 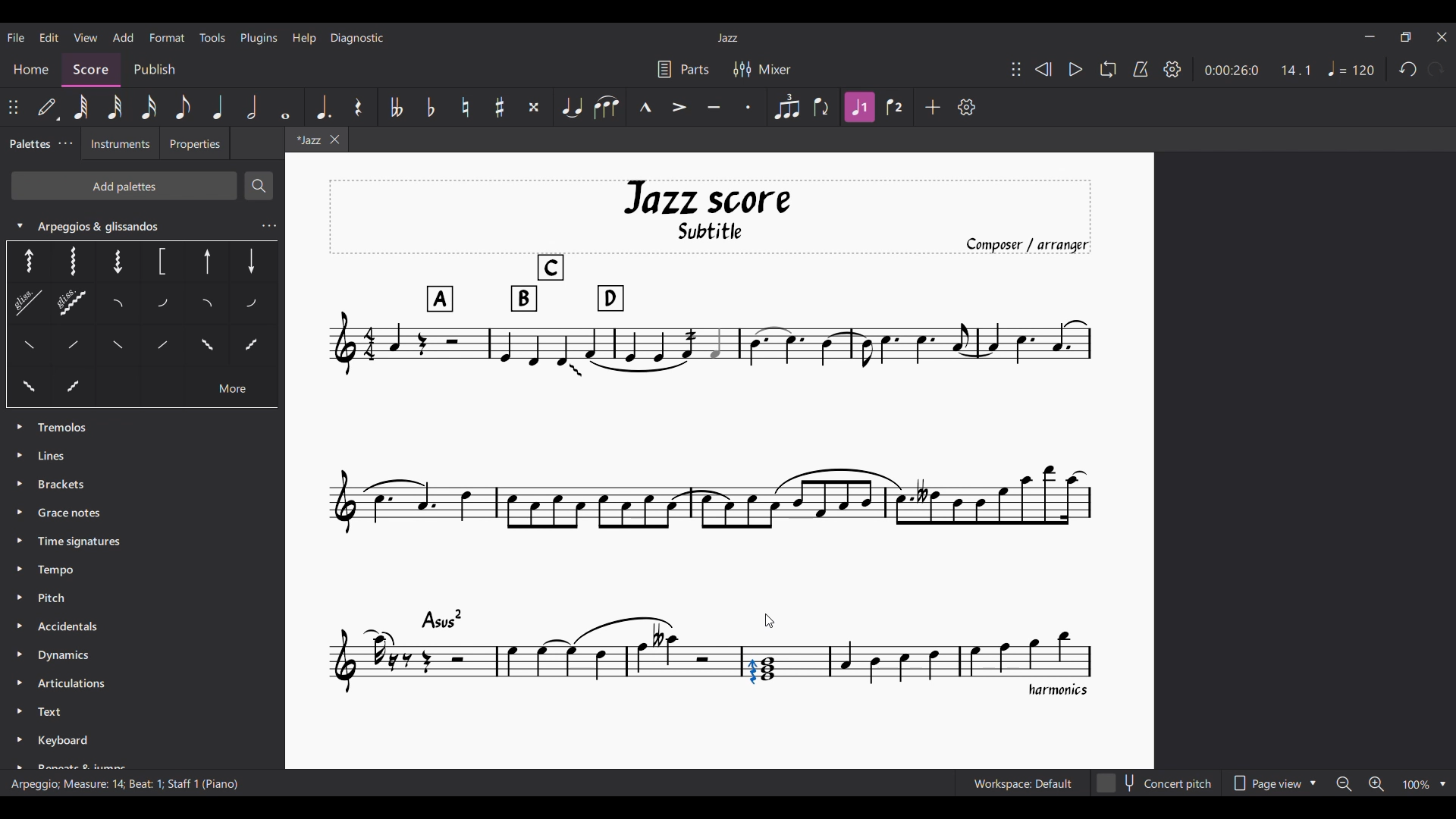 What do you see at coordinates (205, 263) in the screenshot?
I see `` at bounding box center [205, 263].